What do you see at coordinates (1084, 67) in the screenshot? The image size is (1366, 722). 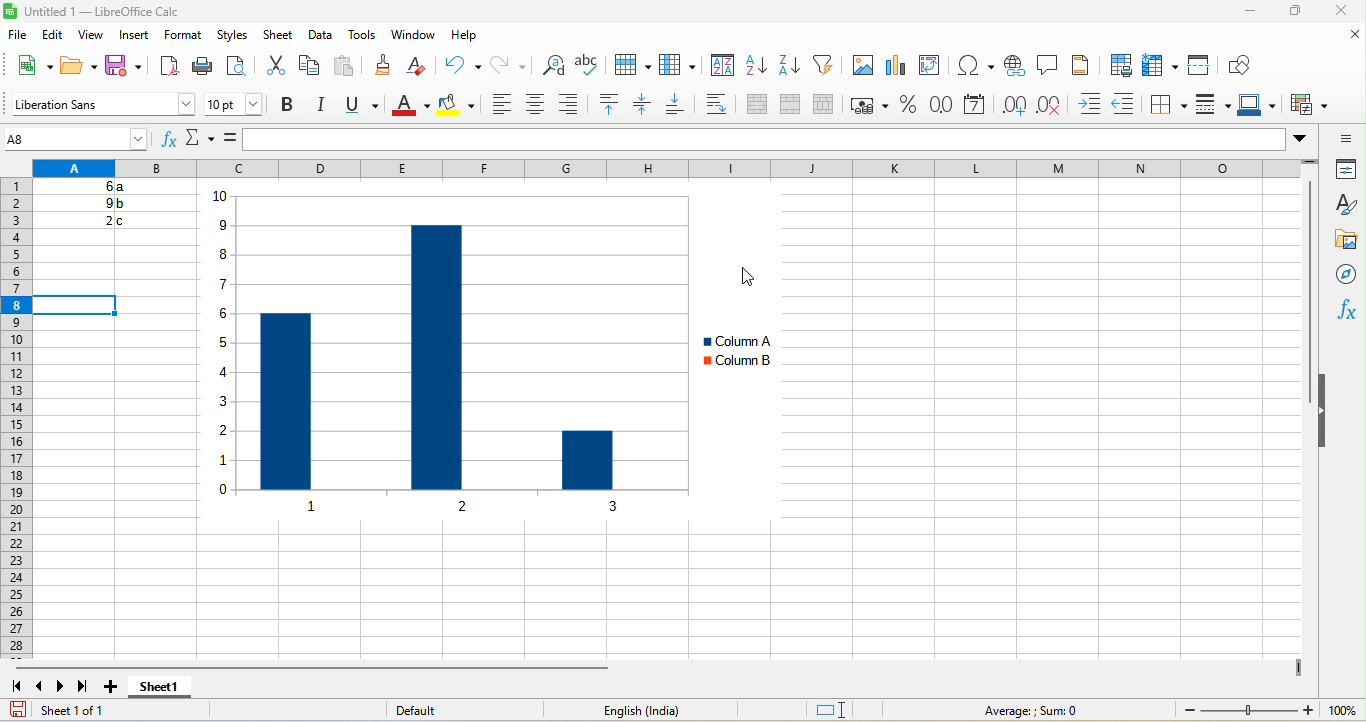 I see `headers and footers` at bounding box center [1084, 67].